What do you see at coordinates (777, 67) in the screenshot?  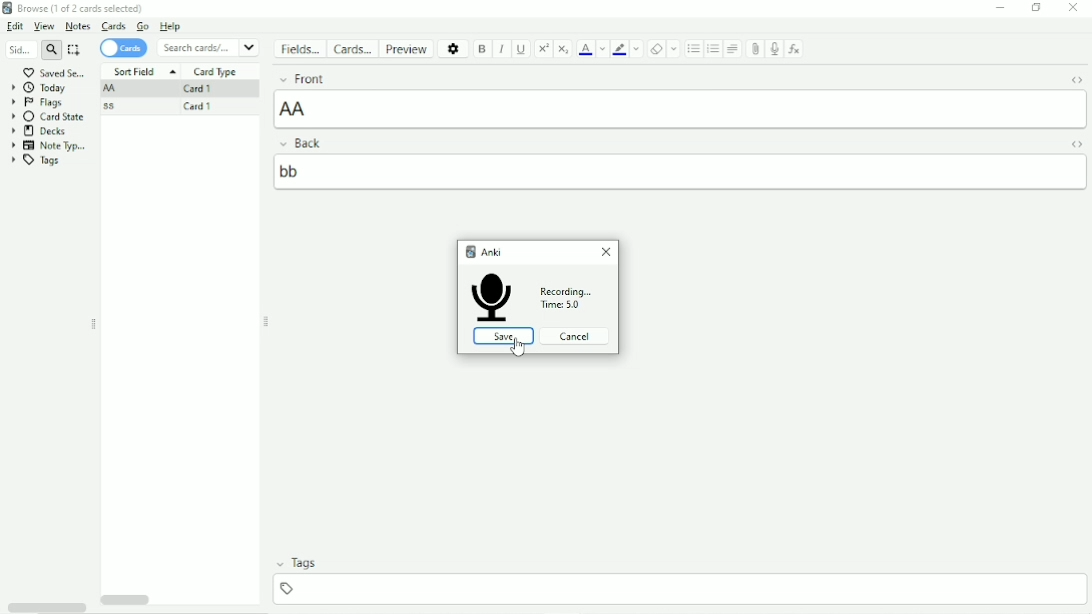 I see `Cursor` at bounding box center [777, 67].